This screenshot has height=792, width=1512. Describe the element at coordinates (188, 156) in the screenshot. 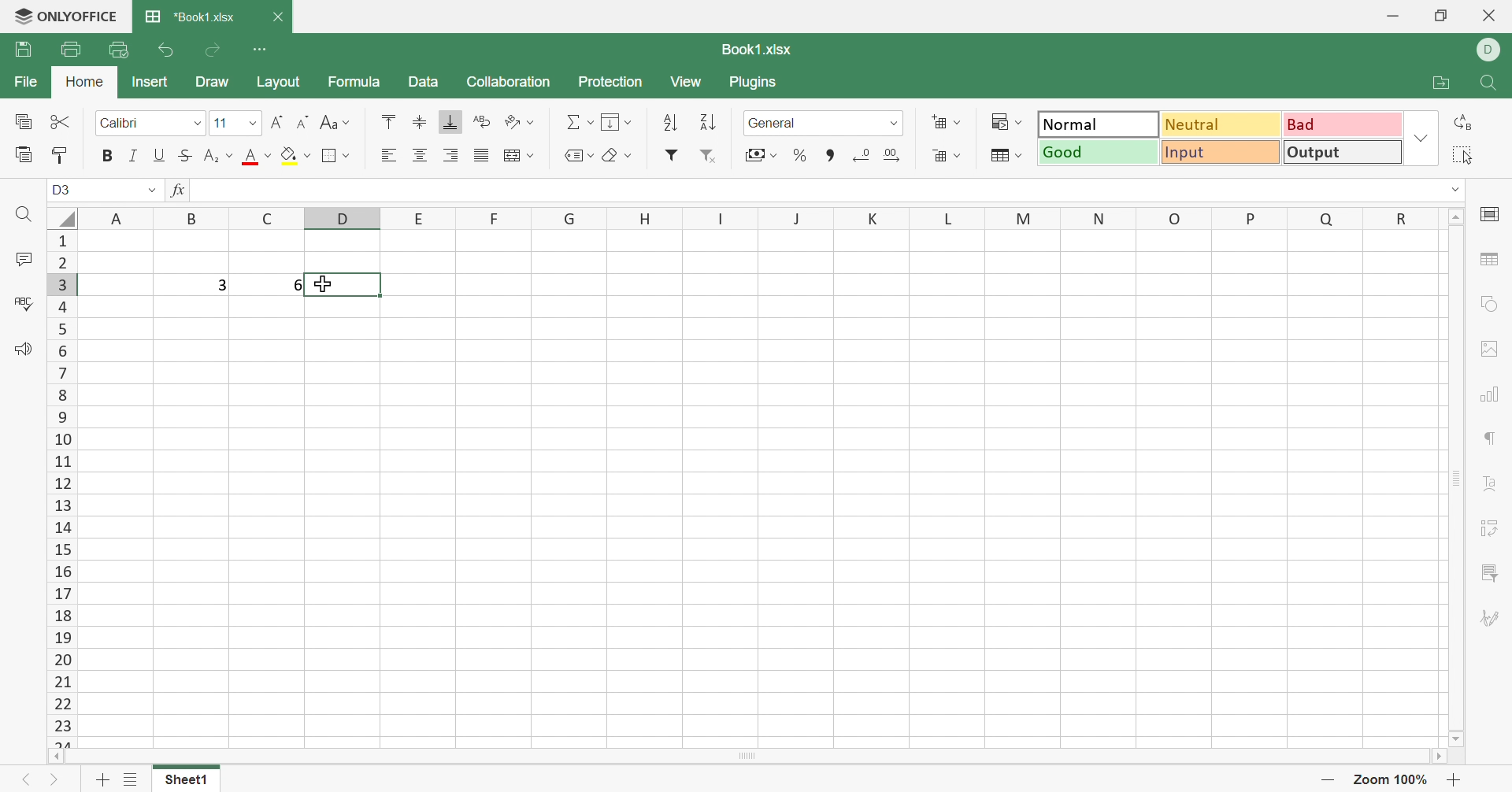

I see `Strikethrough` at that location.